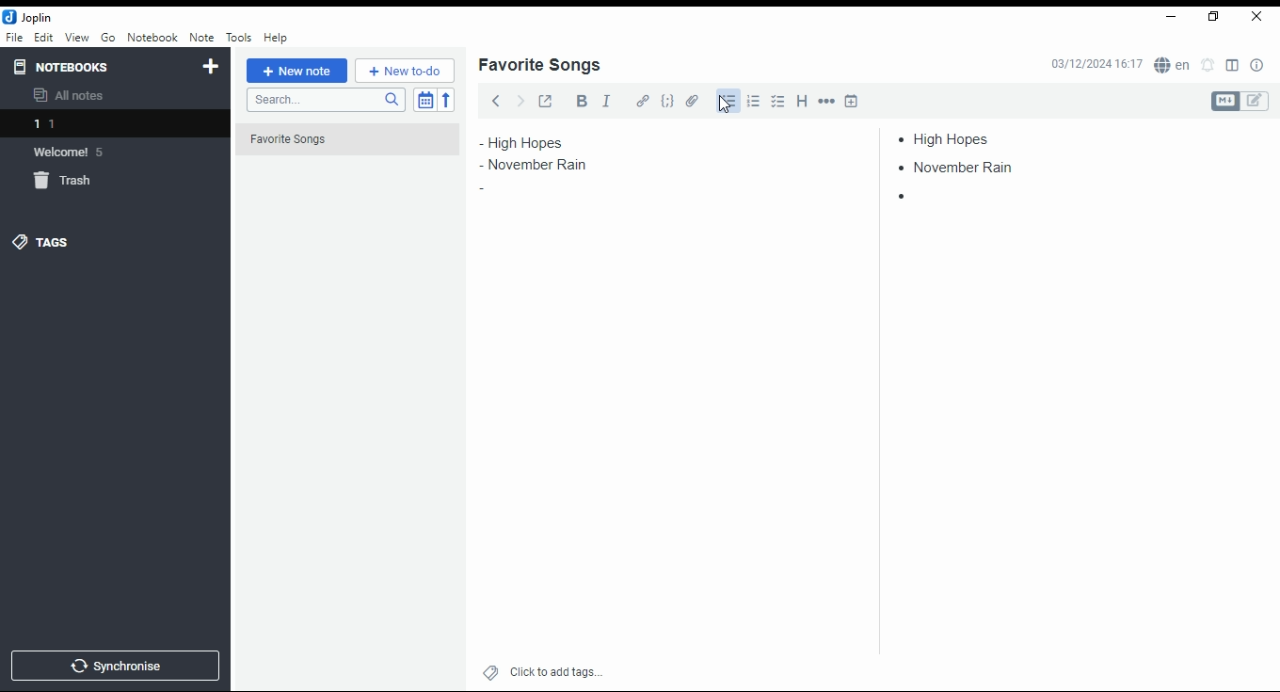 Image resolution: width=1280 pixels, height=692 pixels. I want to click on toggle editors, so click(1240, 101).